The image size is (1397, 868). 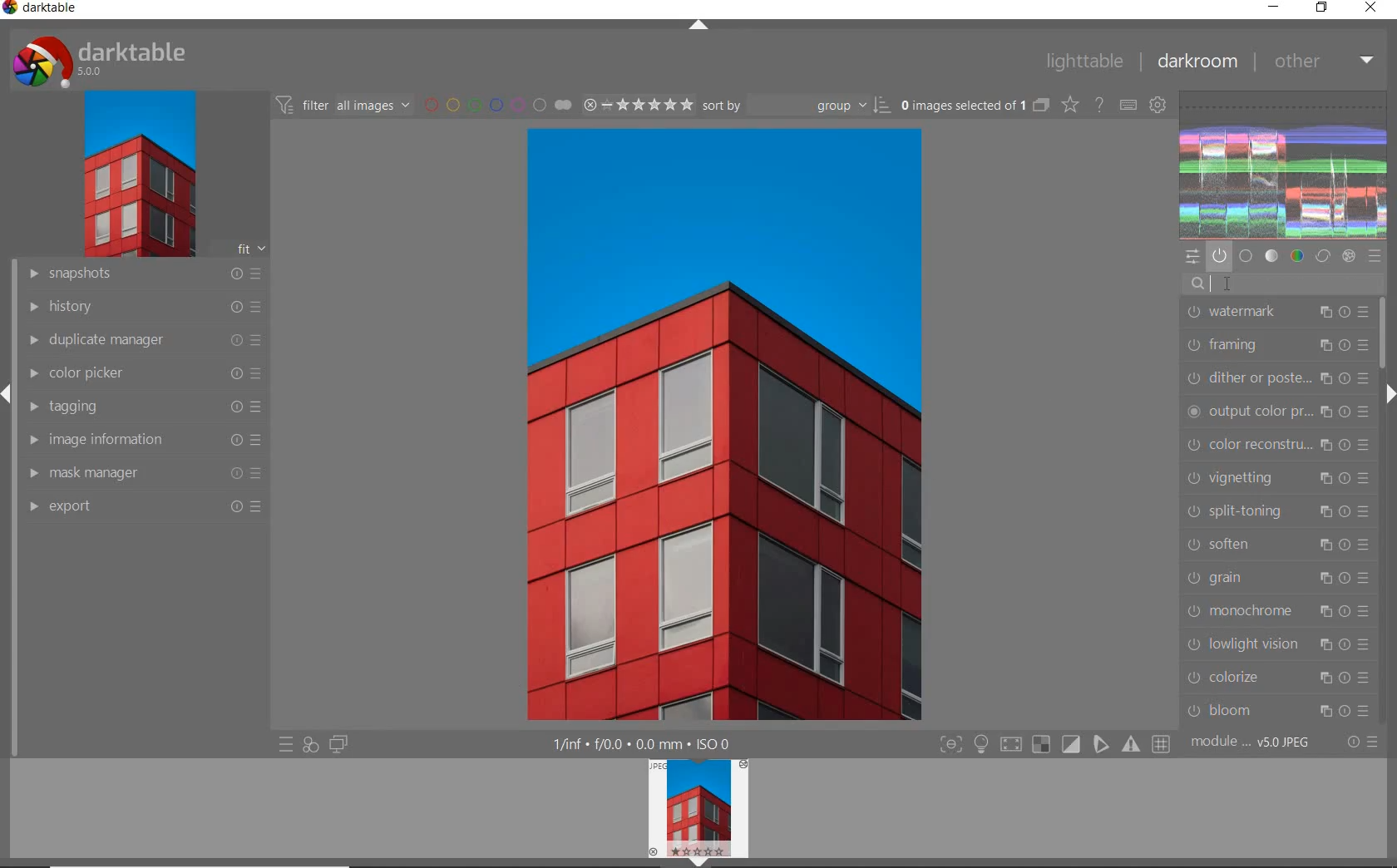 I want to click on other interface detail, so click(x=654, y=744).